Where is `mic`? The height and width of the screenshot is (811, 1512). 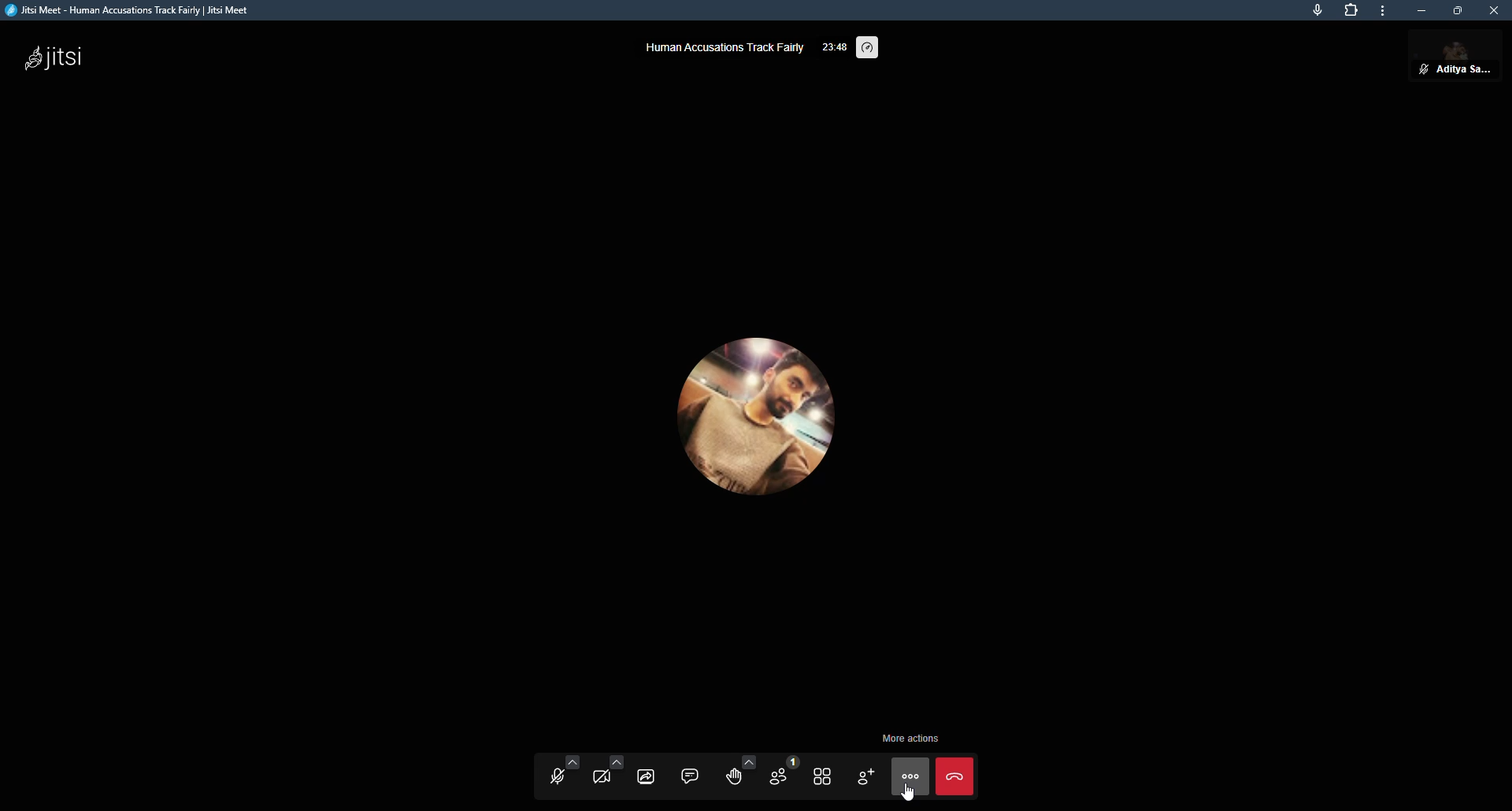 mic is located at coordinates (1317, 11).